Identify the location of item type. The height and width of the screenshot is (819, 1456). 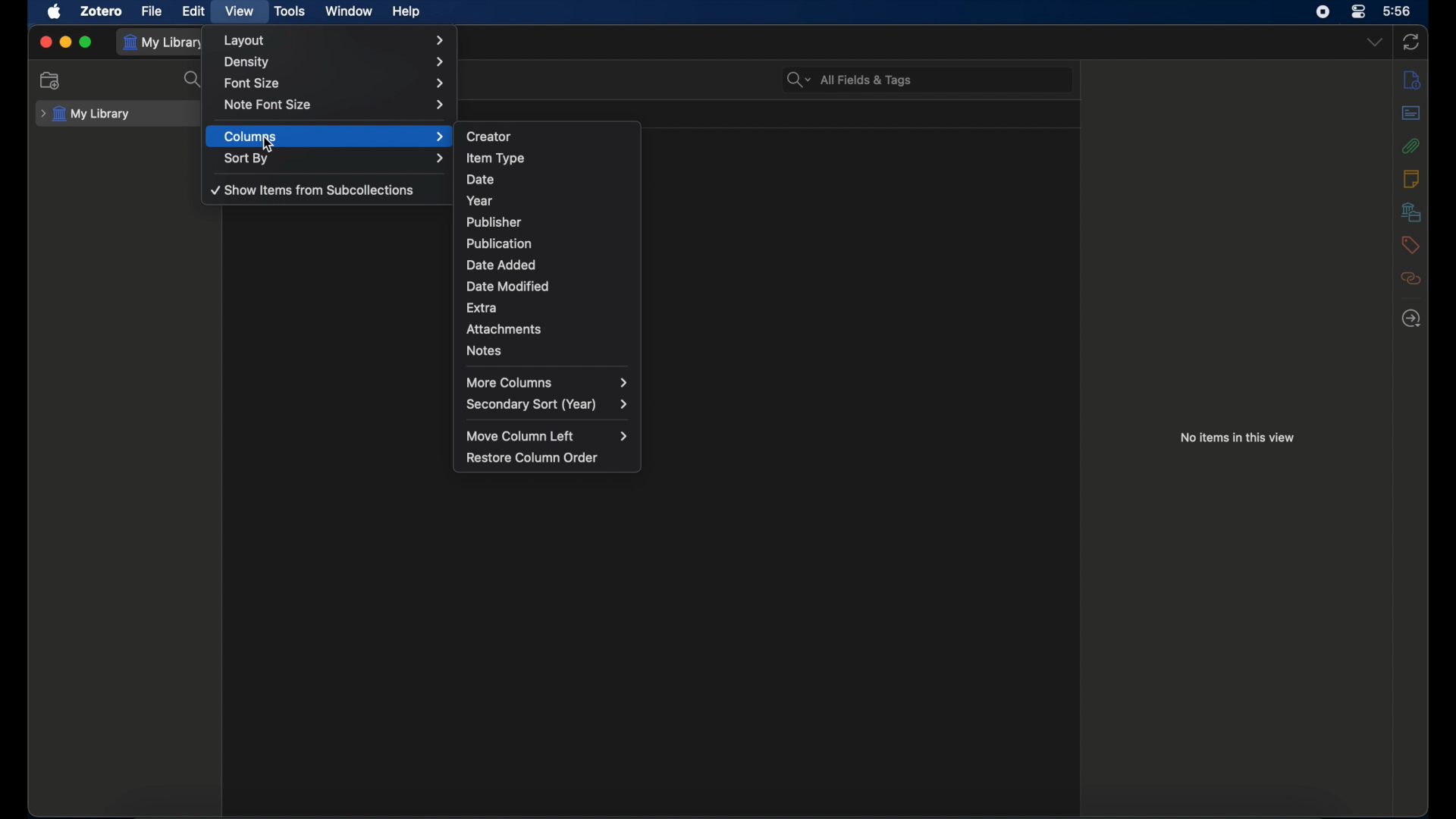
(550, 157).